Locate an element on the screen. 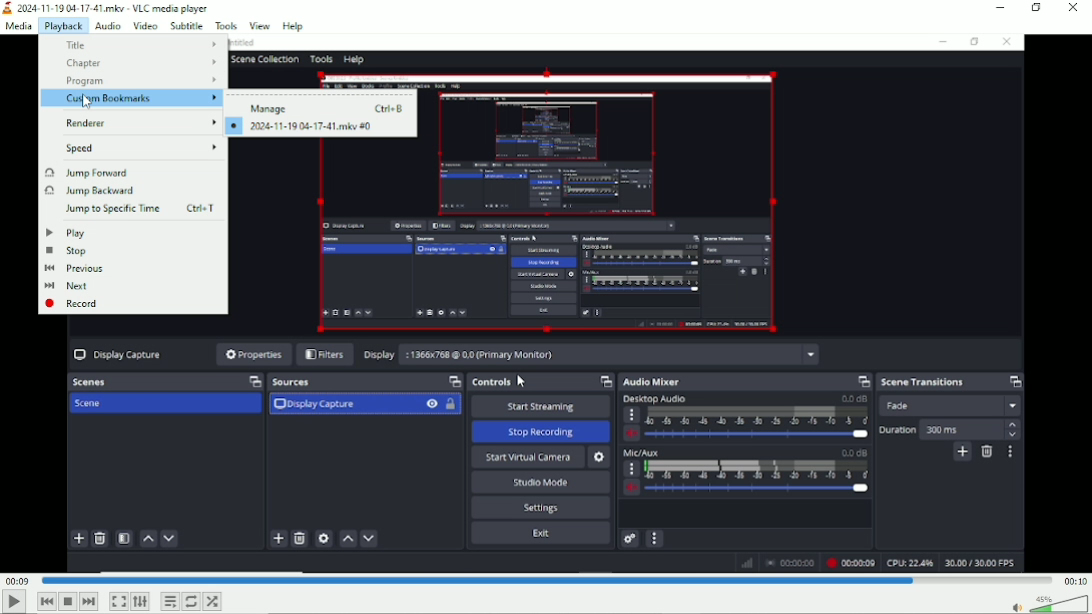  Next is located at coordinates (88, 602).